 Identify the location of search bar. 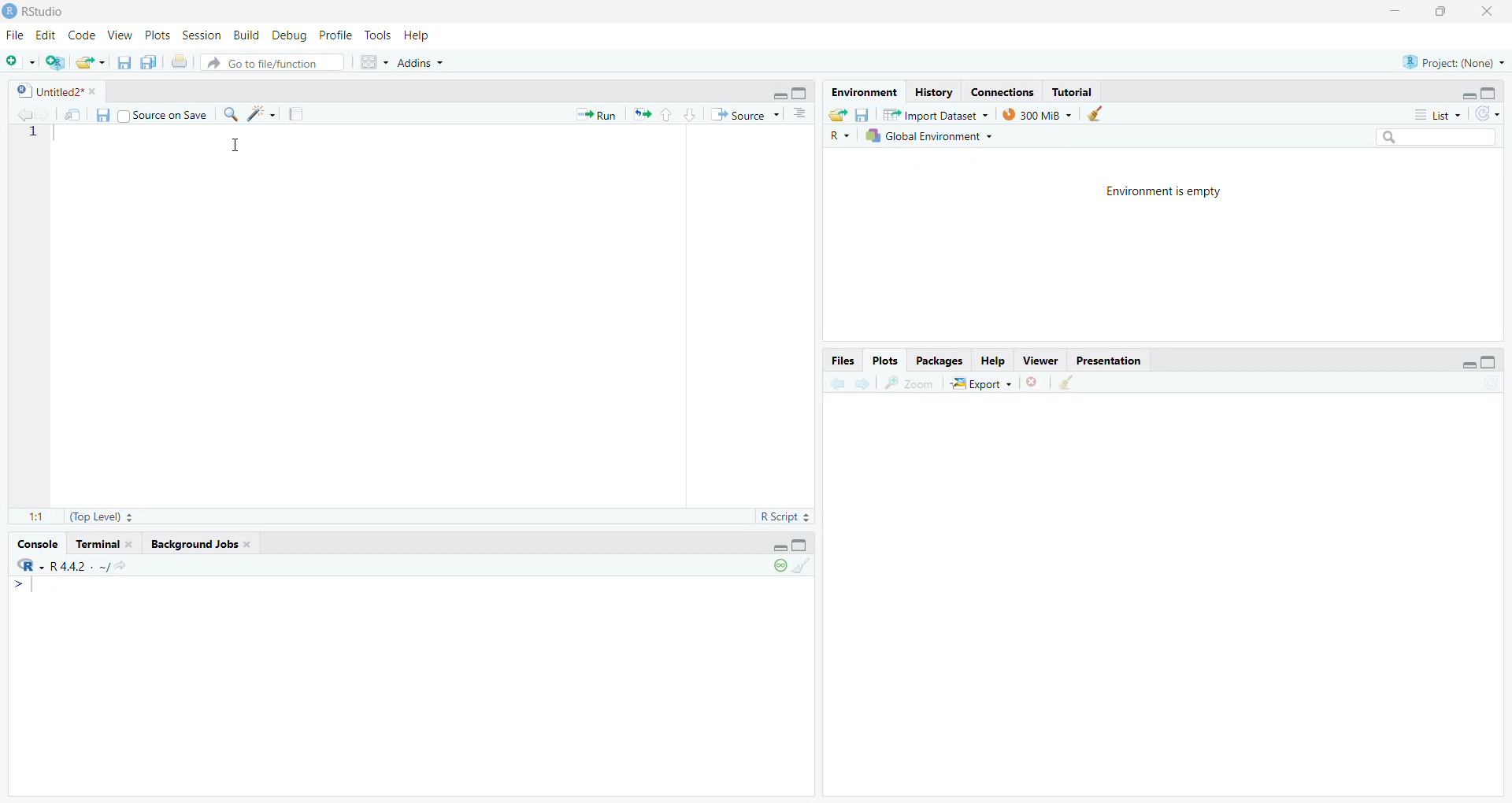
(1435, 140).